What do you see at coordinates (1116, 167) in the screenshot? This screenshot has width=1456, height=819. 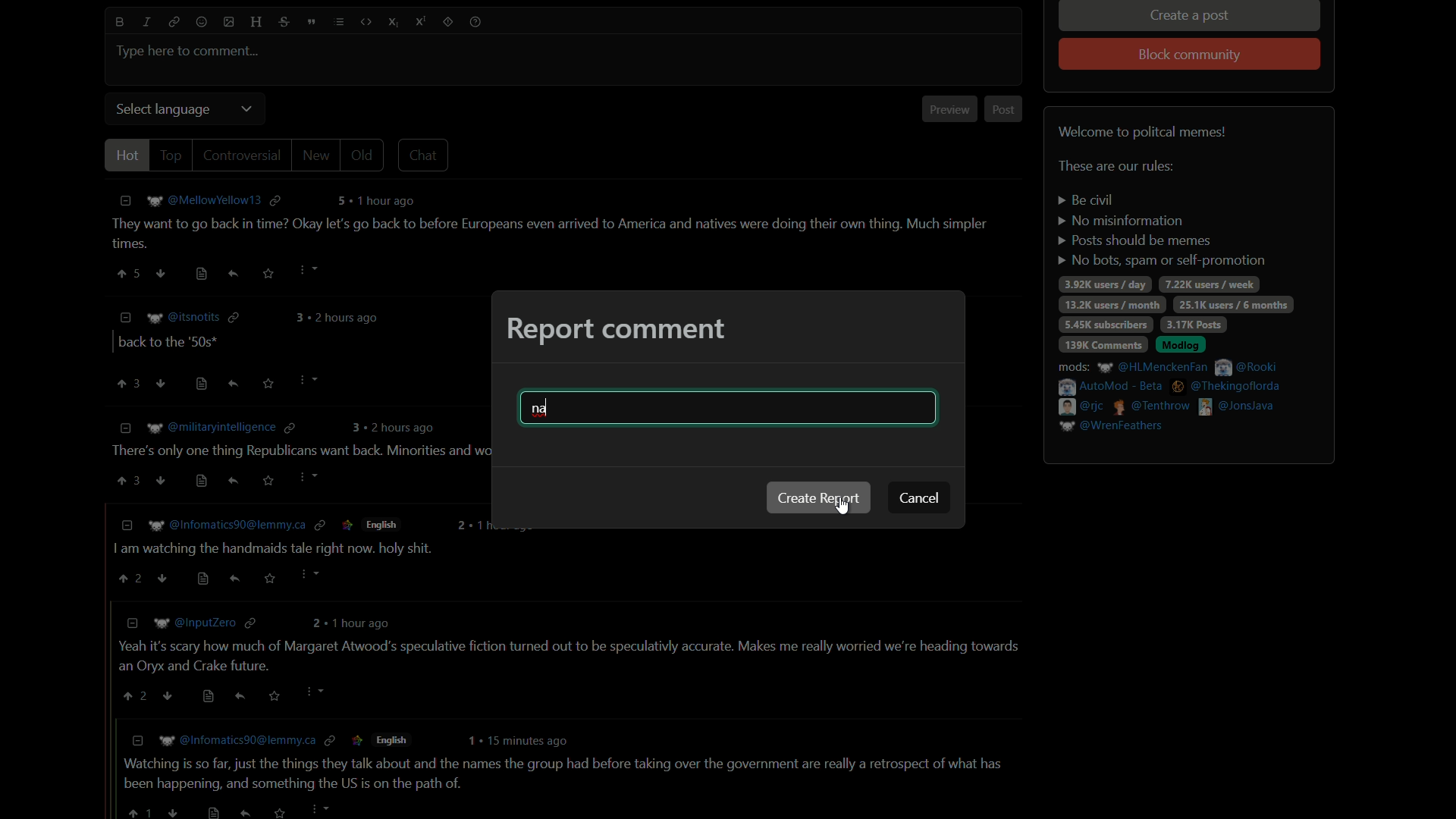 I see `text` at bounding box center [1116, 167].